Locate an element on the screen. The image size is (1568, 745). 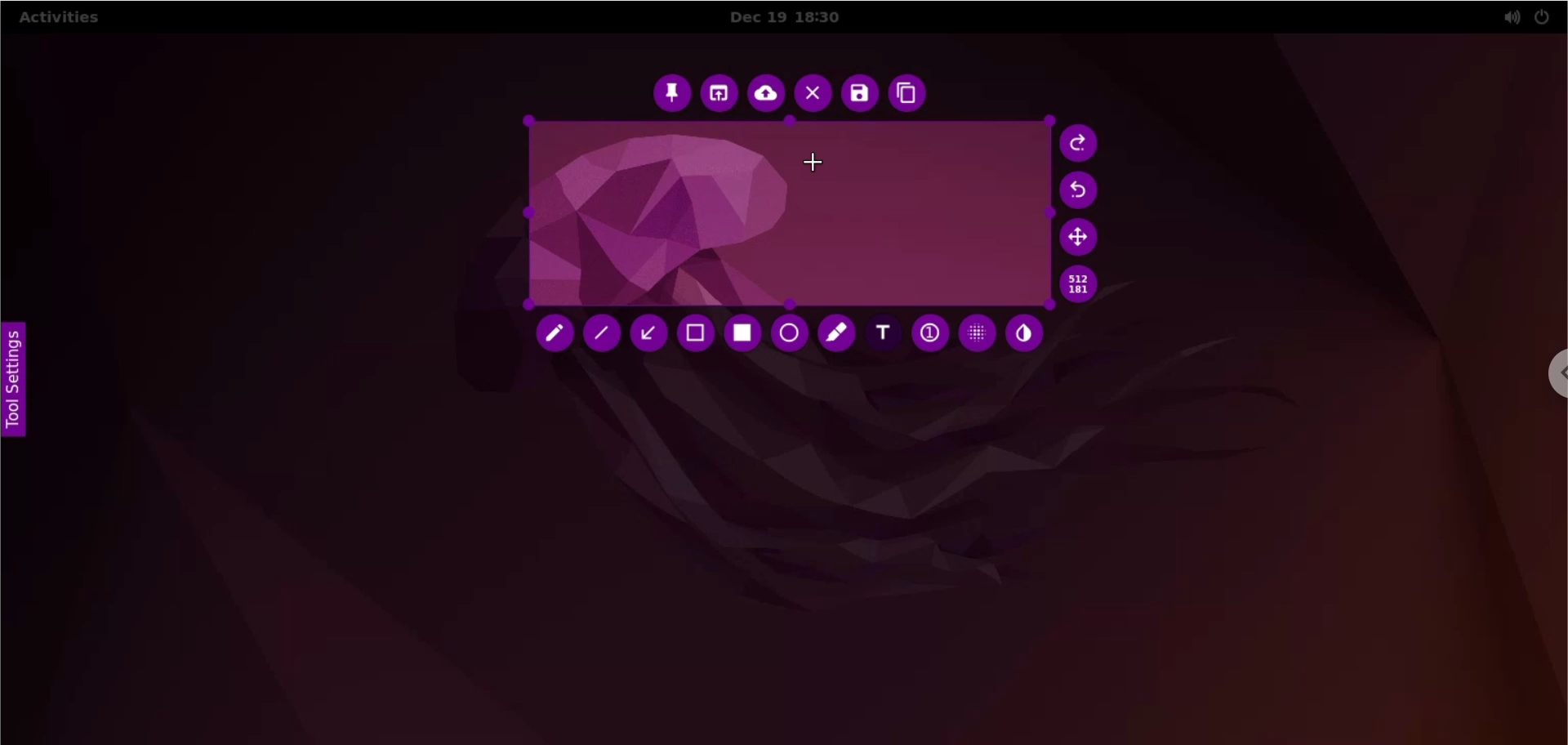
add text is located at coordinates (886, 332).